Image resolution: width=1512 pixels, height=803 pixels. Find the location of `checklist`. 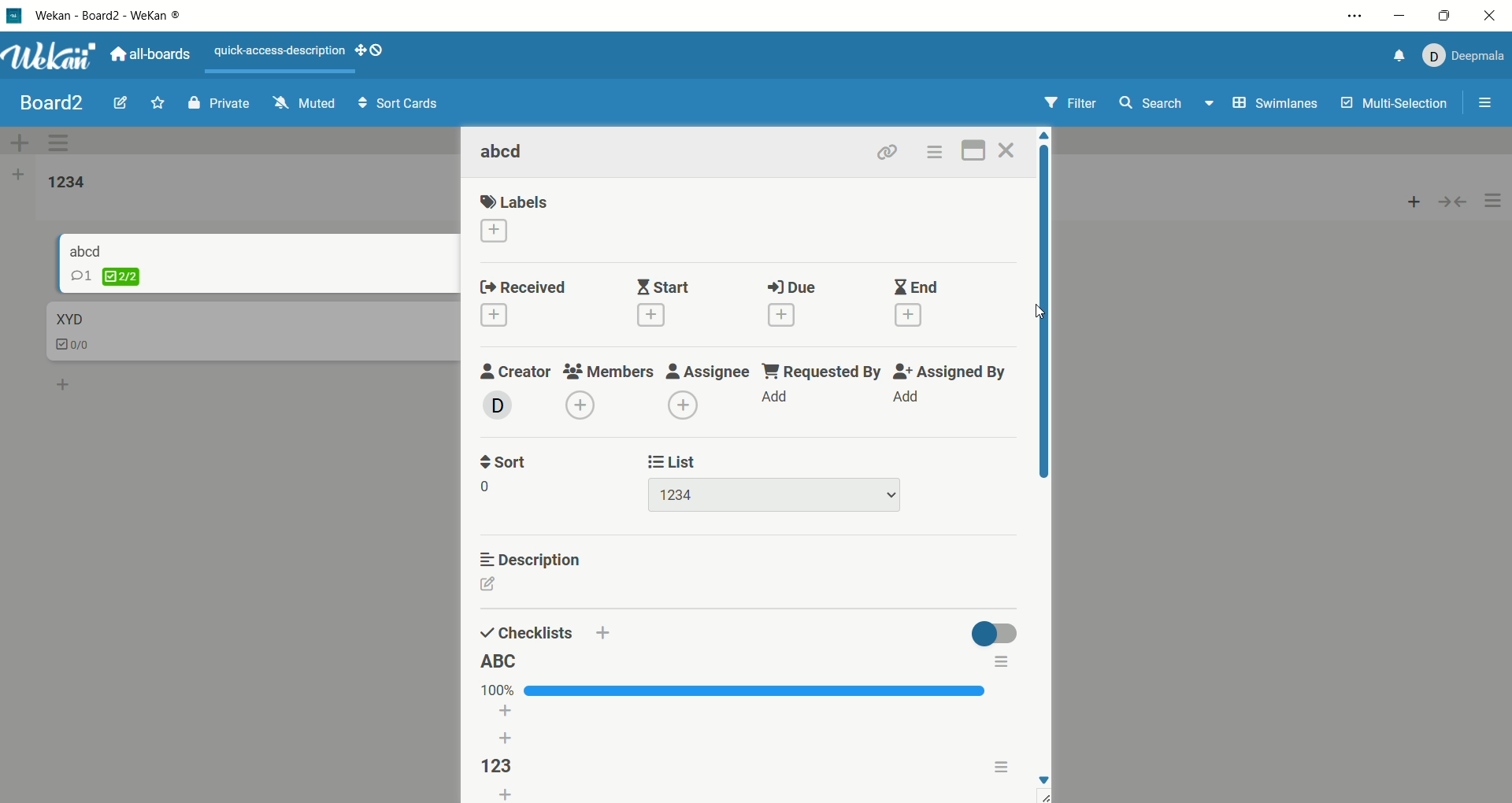

checklist is located at coordinates (106, 276).